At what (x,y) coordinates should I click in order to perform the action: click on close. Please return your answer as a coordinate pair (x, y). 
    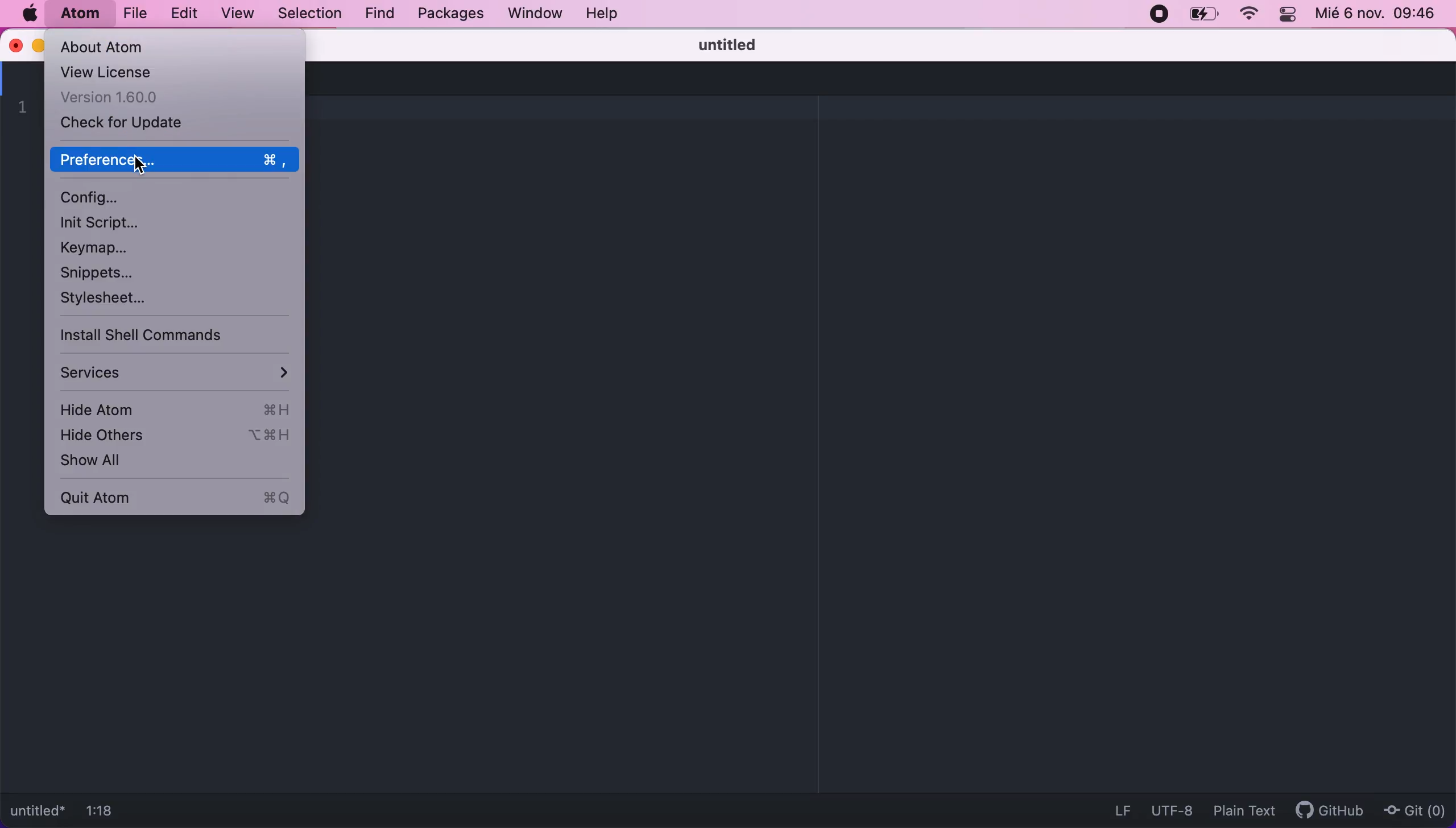
    Looking at the image, I should click on (17, 45).